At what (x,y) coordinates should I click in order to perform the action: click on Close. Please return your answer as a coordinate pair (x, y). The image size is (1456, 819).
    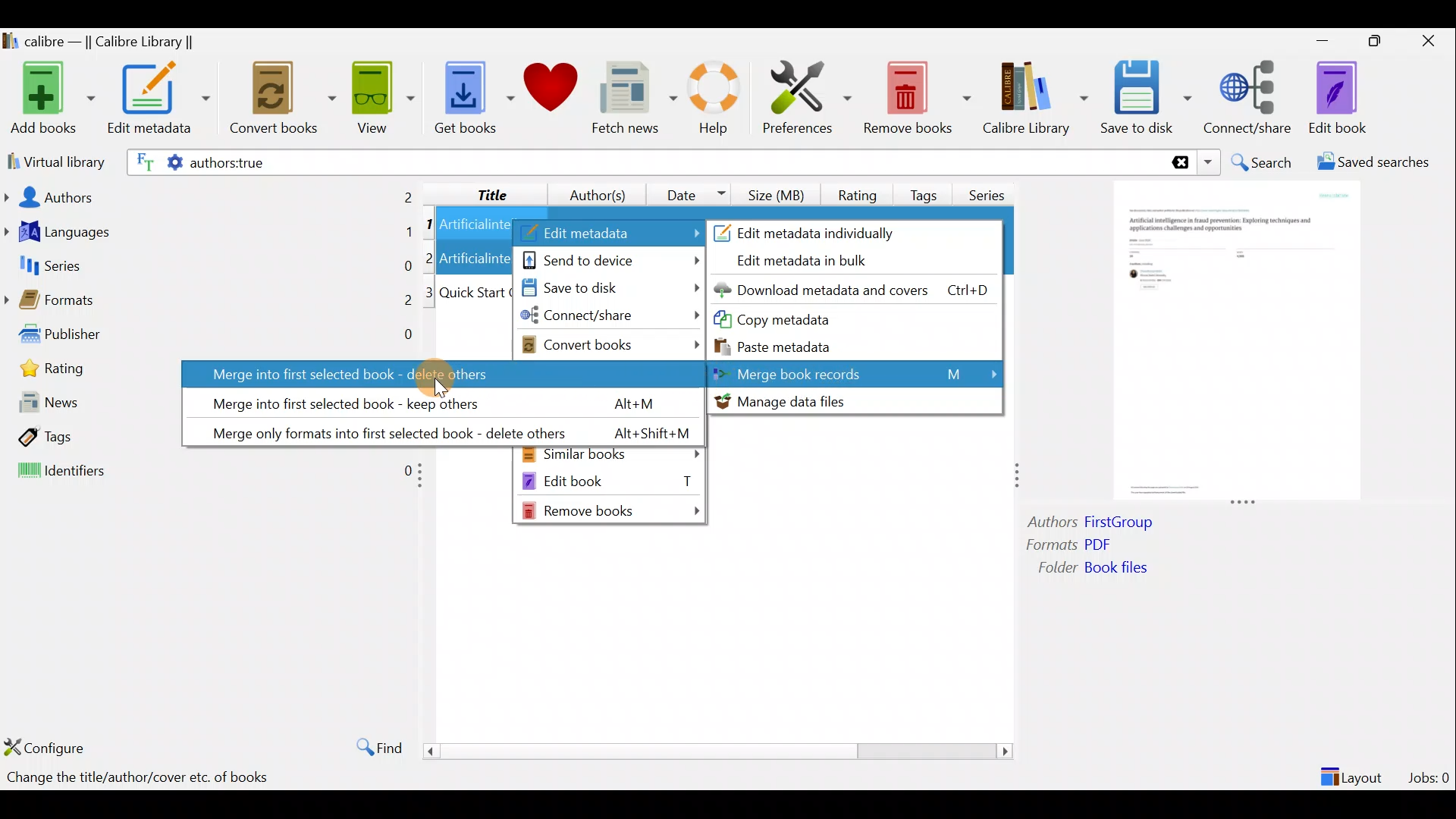
    Looking at the image, I should click on (1432, 40).